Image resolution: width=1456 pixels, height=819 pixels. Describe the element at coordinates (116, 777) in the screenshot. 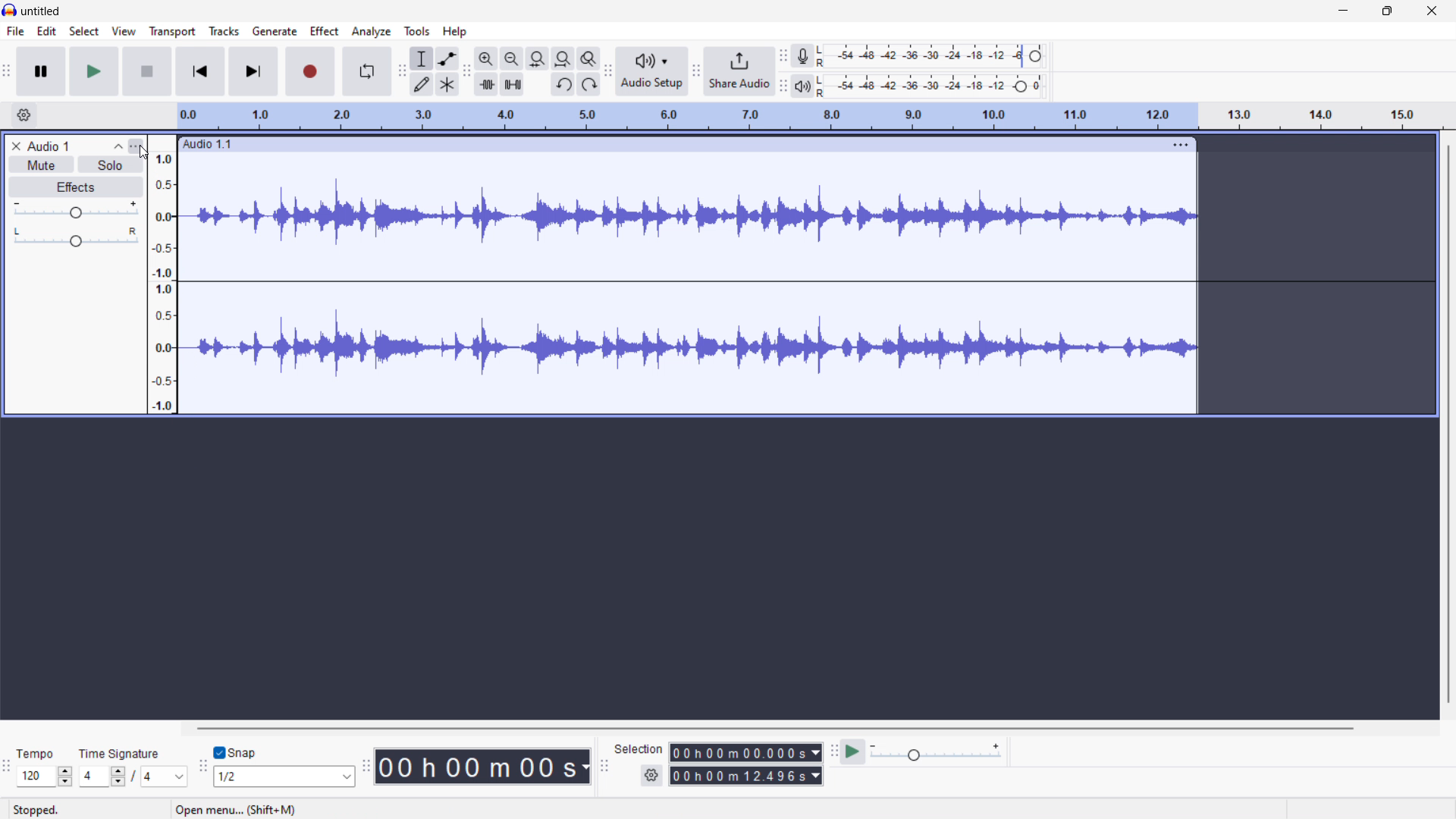

I see `Drop down` at that location.